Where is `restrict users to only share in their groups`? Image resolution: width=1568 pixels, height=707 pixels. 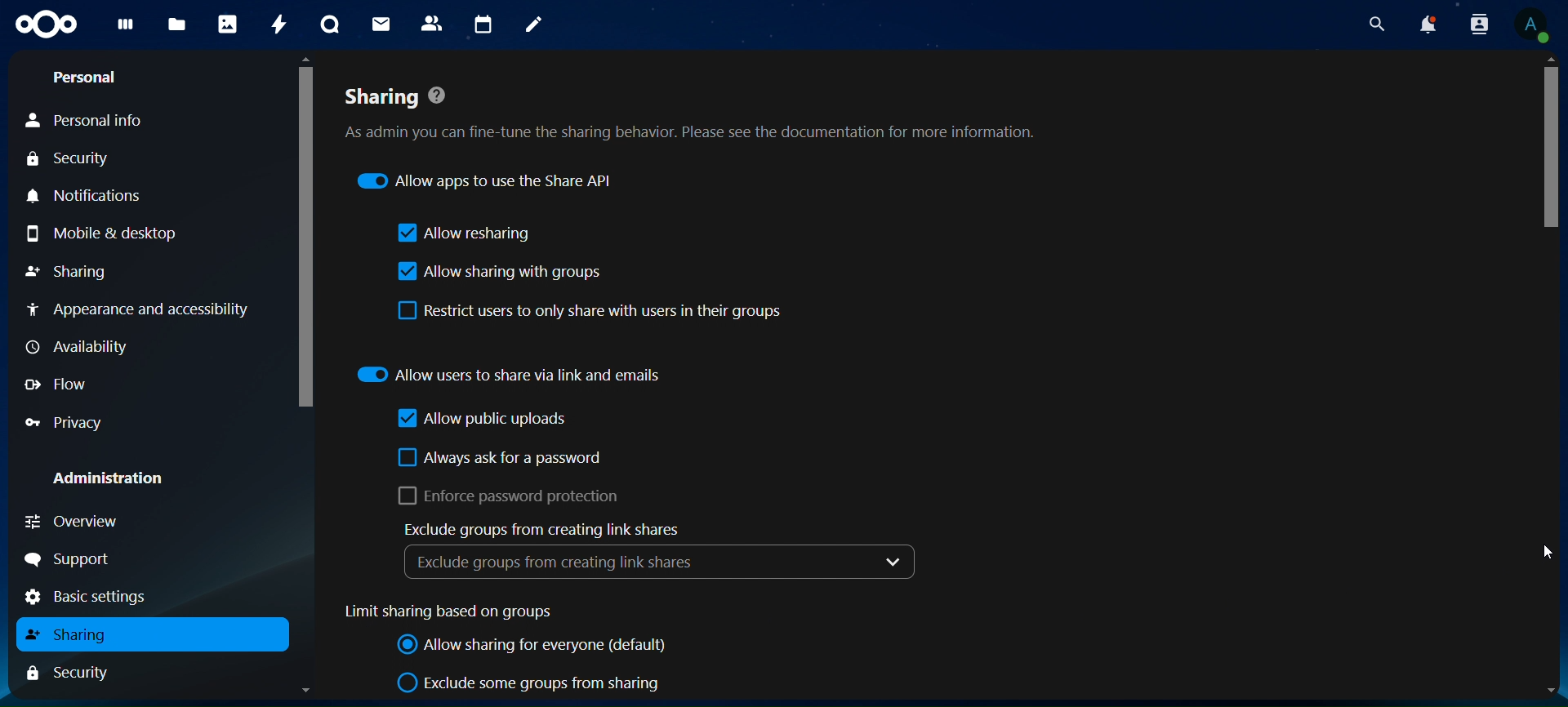 restrict users to only share in their groups is located at coordinates (594, 312).